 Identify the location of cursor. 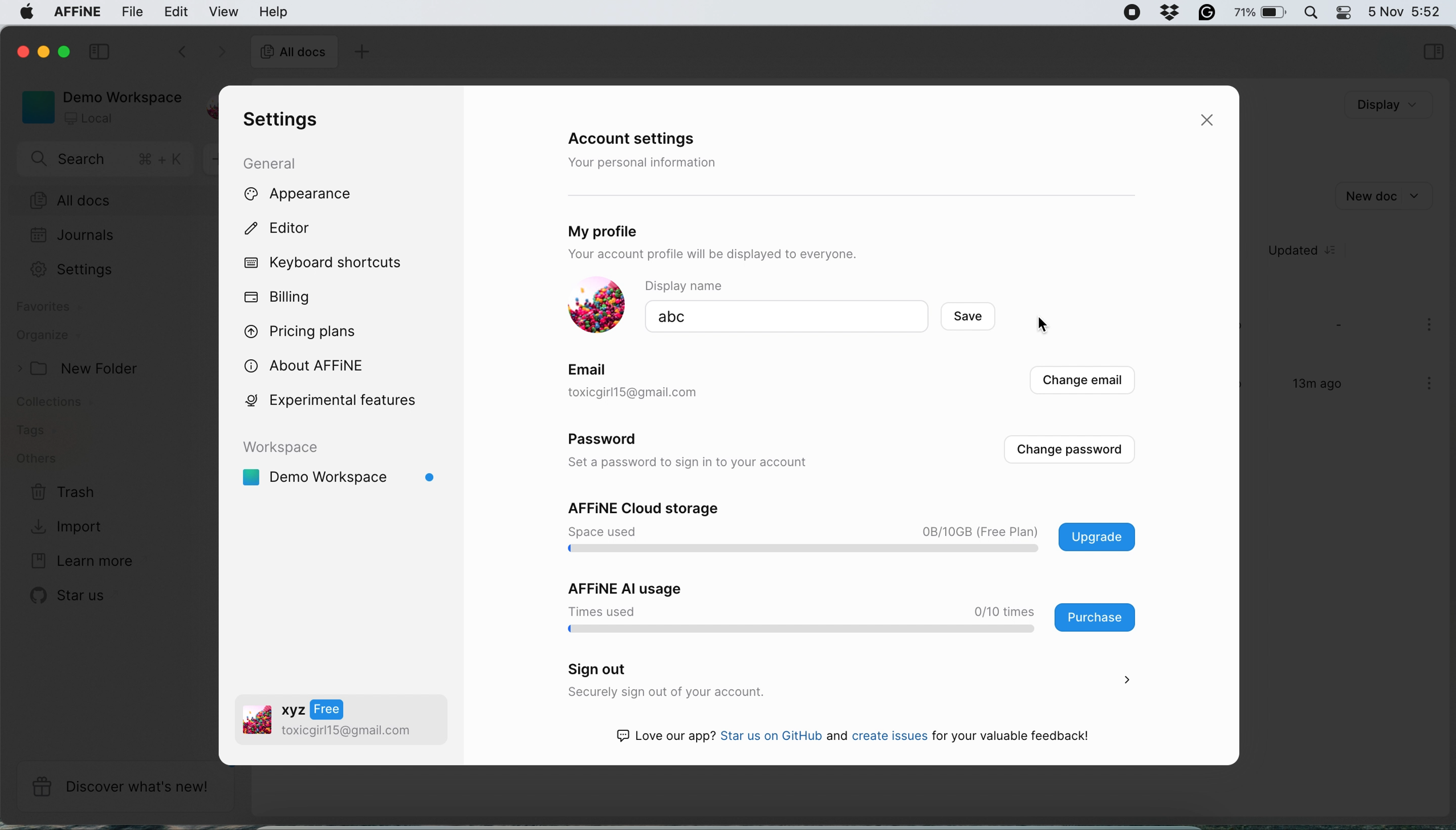
(1044, 324).